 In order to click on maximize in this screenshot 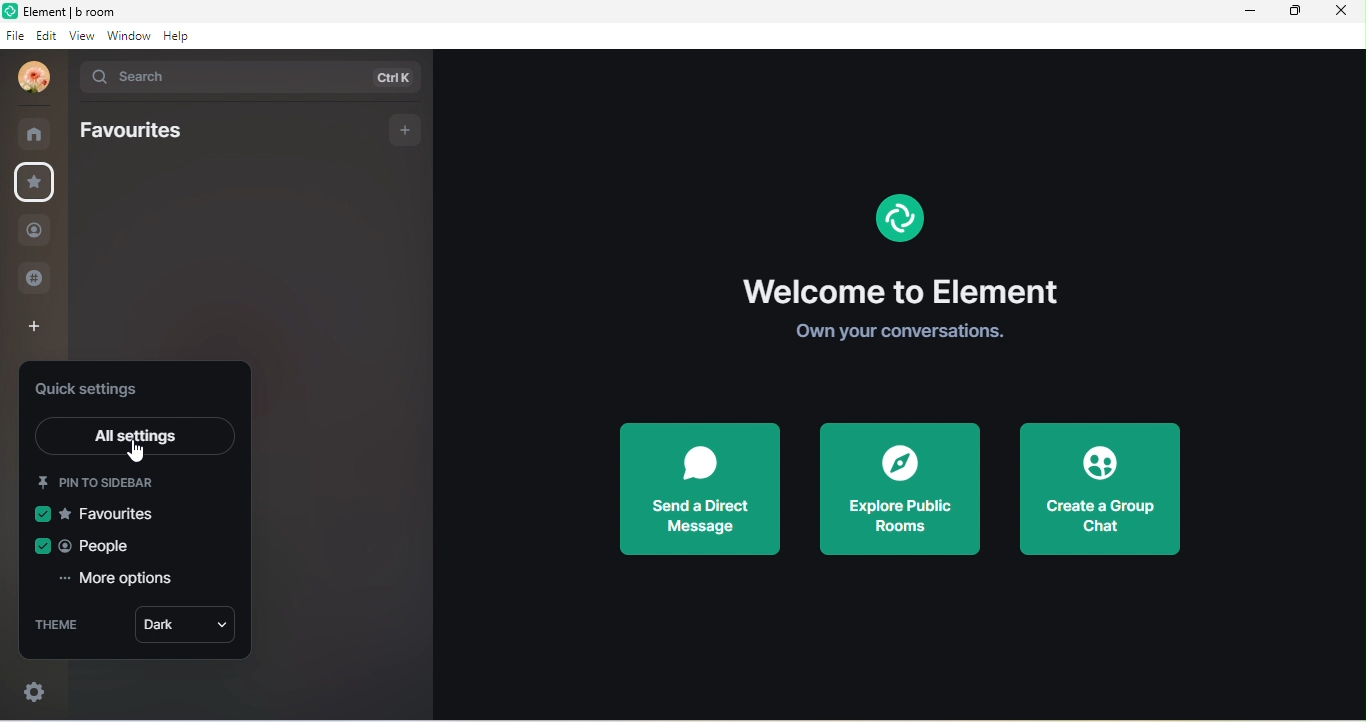, I will do `click(1292, 12)`.